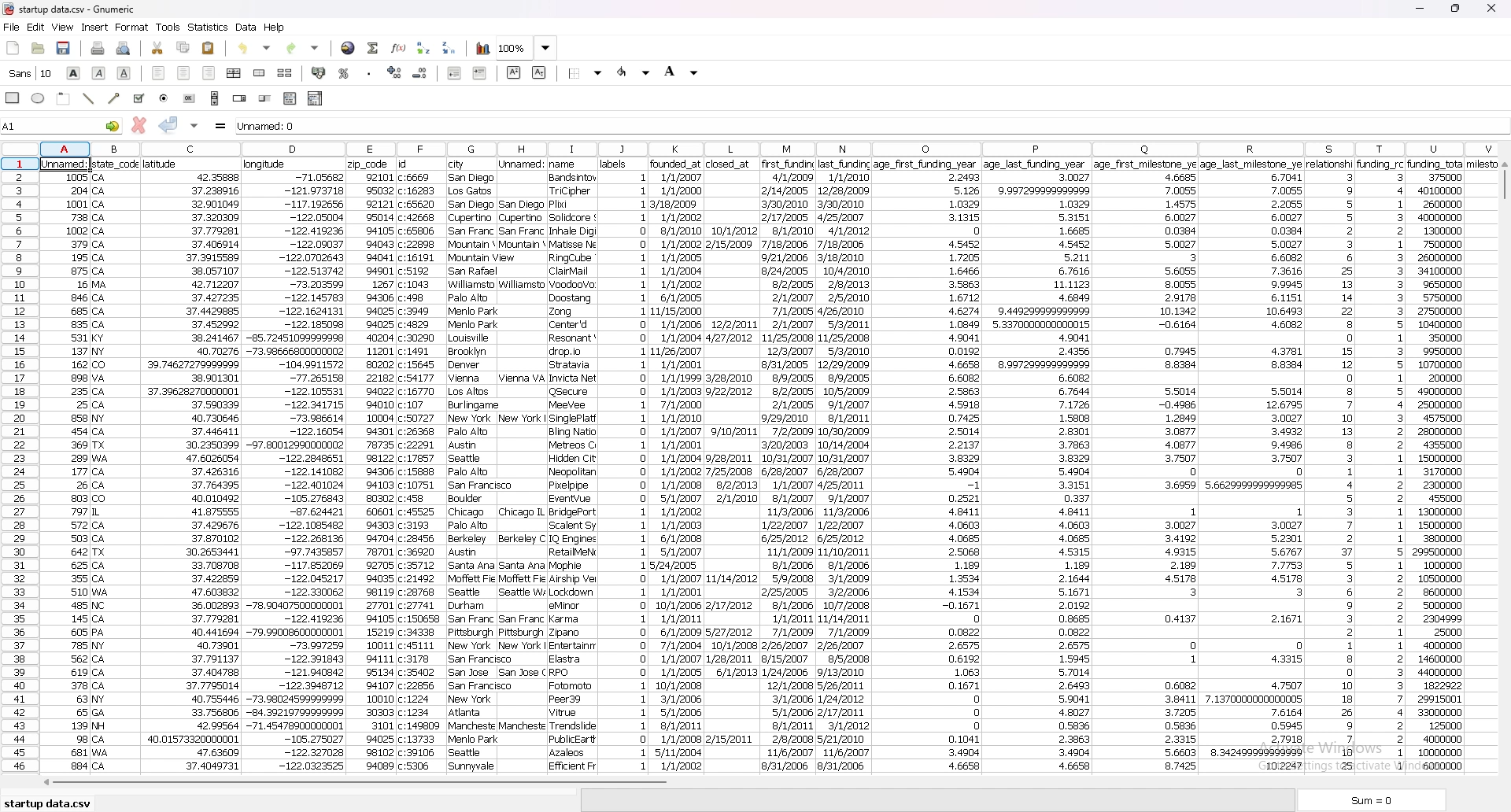 The height and width of the screenshot is (812, 1511). I want to click on print preview, so click(126, 49).